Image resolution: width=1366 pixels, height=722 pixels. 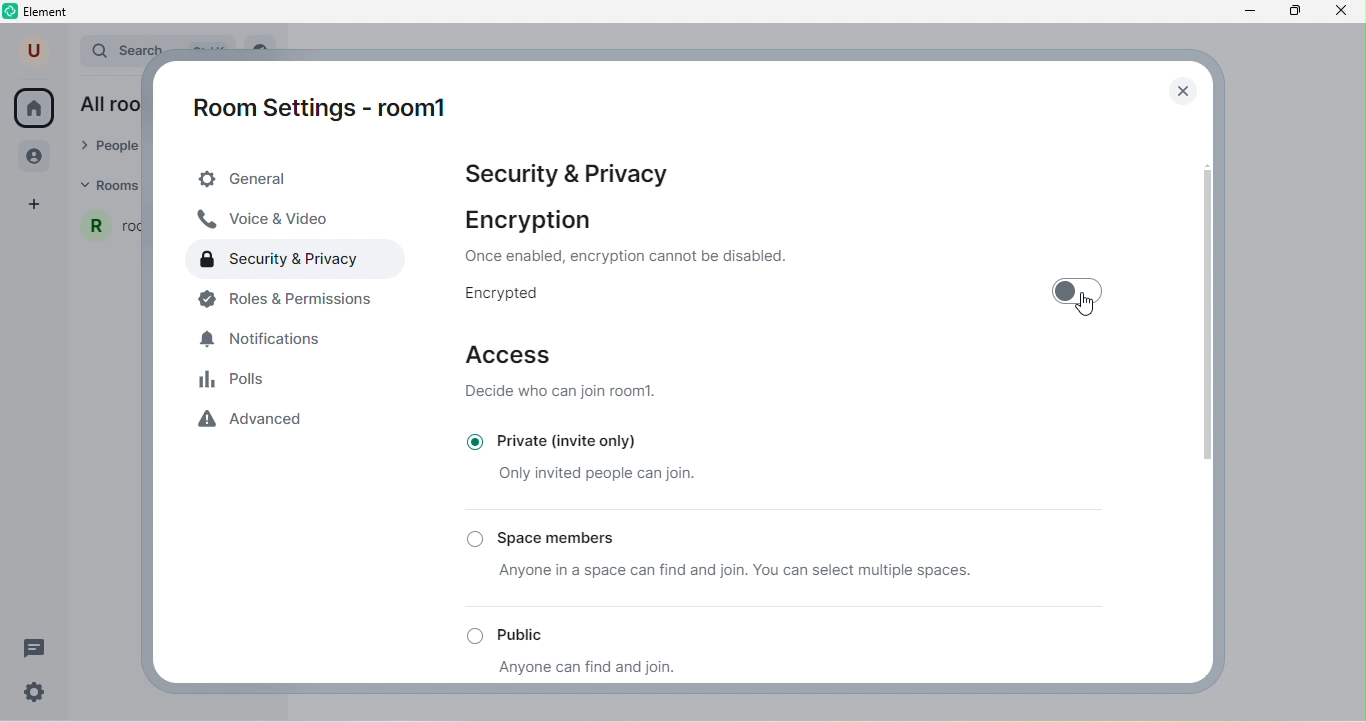 I want to click on quick settings, so click(x=41, y=693).